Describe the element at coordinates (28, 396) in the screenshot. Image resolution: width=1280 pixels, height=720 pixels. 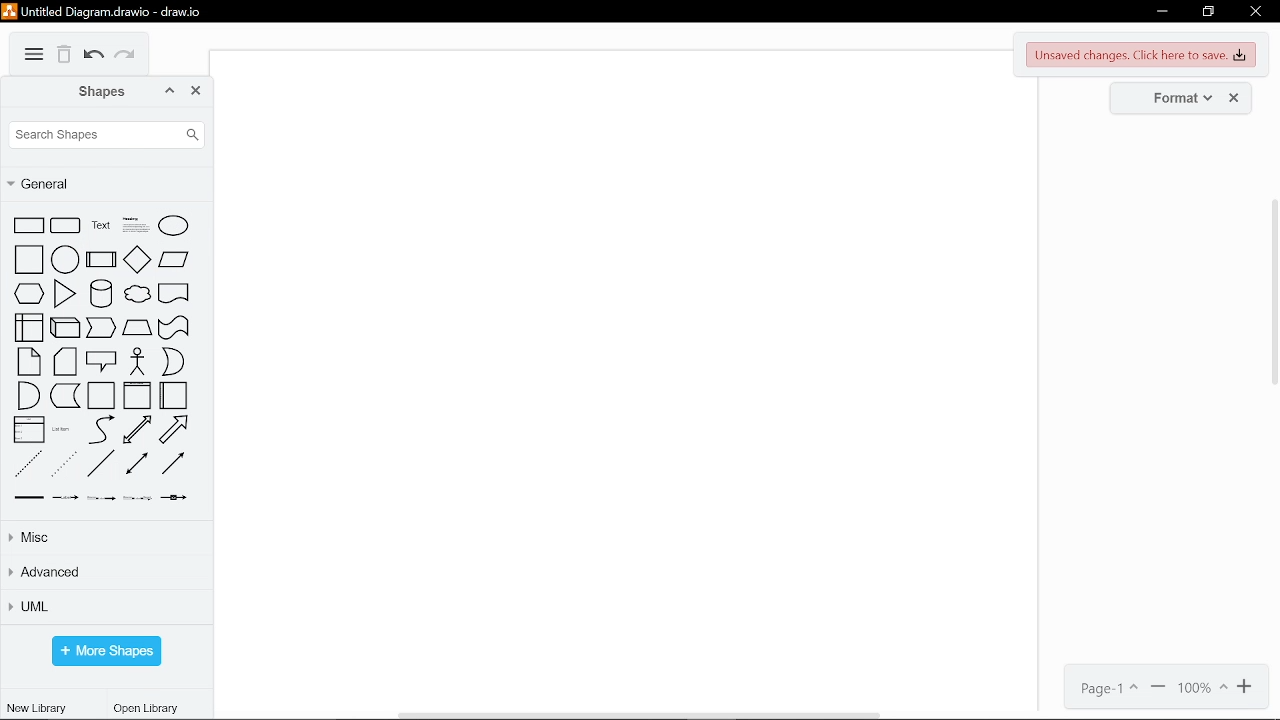
I see `and` at that location.